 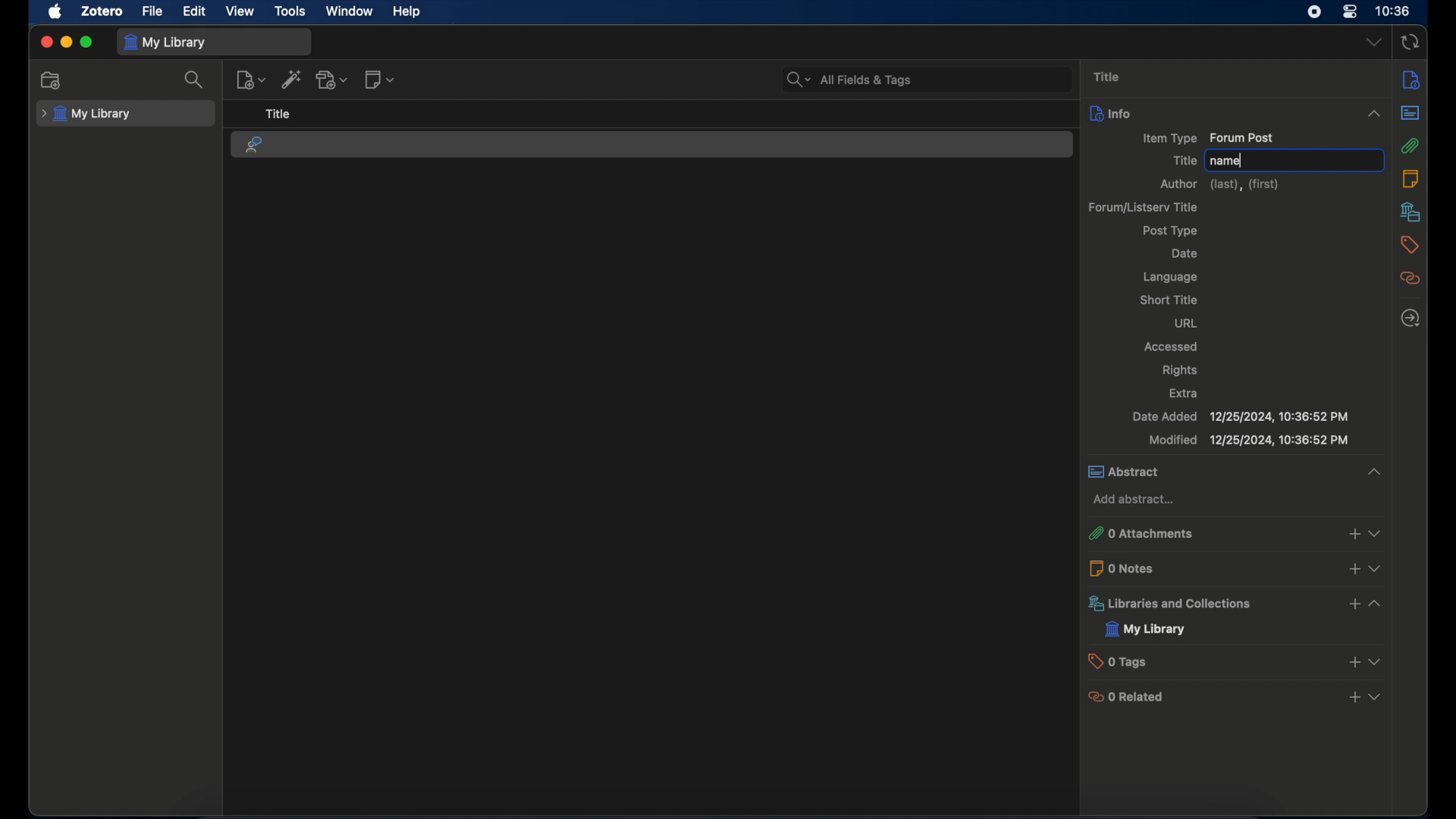 I want to click on info, so click(x=1235, y=113).